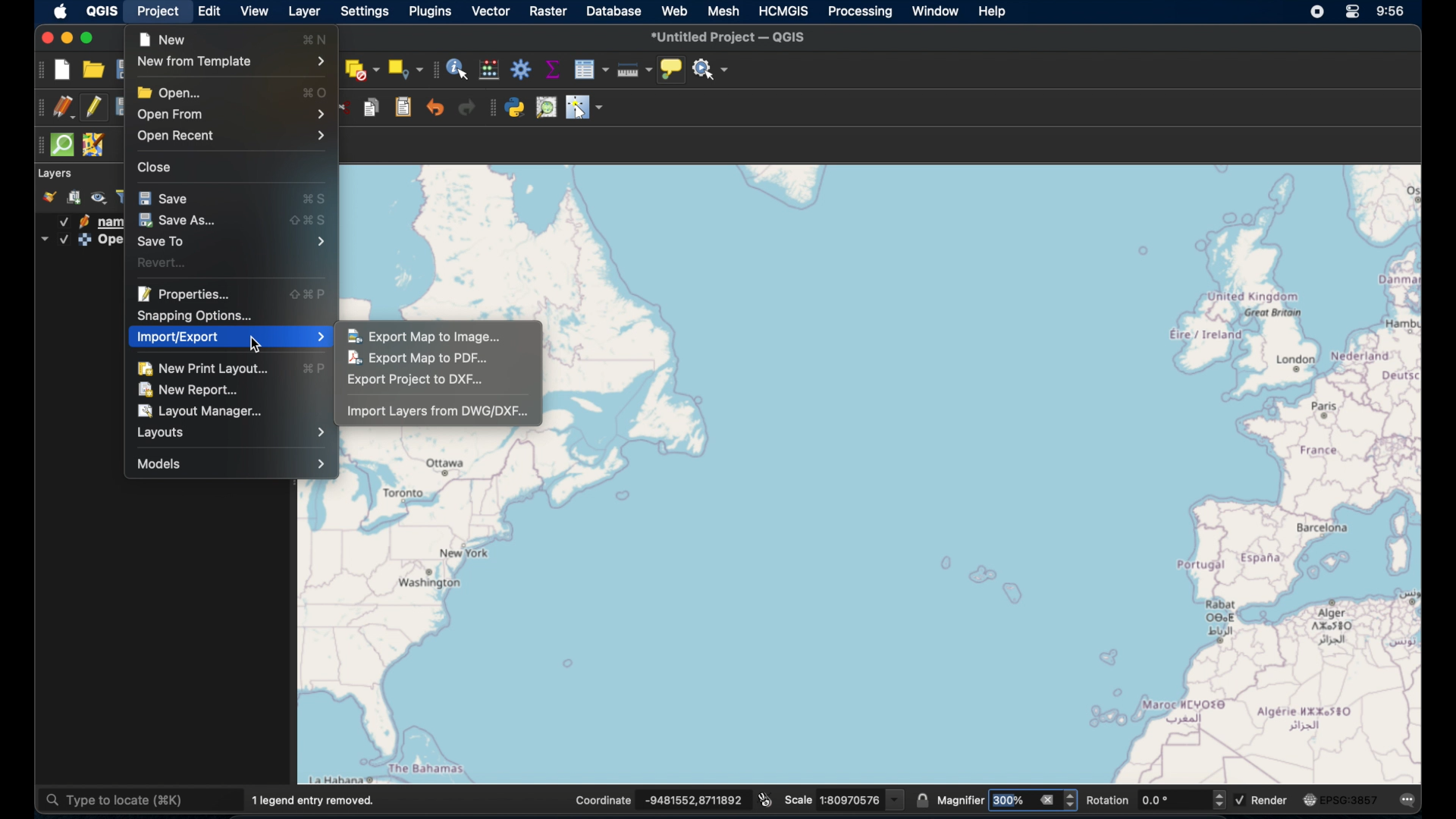  Describe the element at coordinates (361, 70) in the screenshot. I see `deselect features` at that location.